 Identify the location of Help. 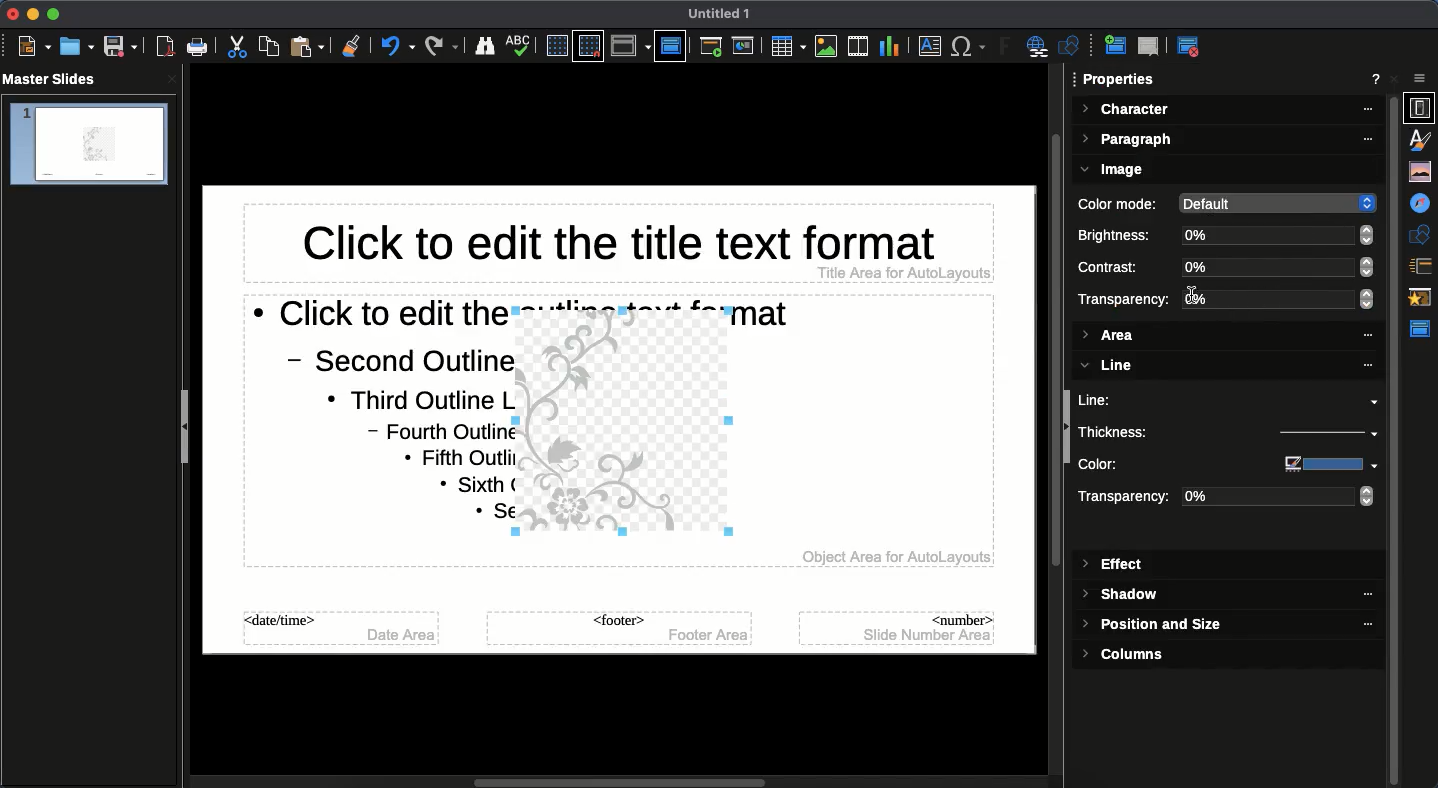
(1376, 81).